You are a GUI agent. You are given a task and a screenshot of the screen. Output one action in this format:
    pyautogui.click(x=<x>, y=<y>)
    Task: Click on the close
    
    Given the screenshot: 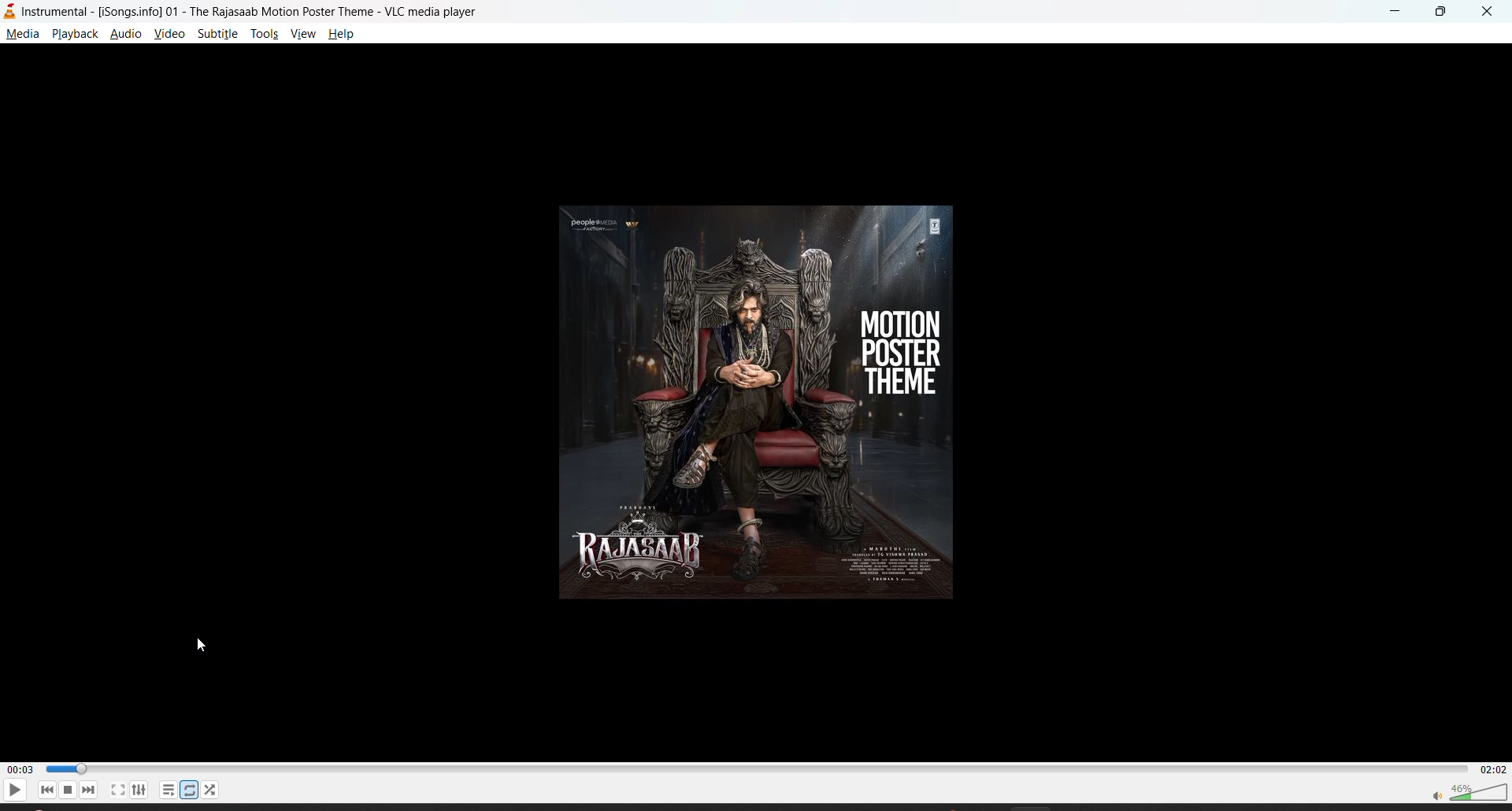 What is the action you would take?
    pyautogui.click(x=1488, y=12)
    